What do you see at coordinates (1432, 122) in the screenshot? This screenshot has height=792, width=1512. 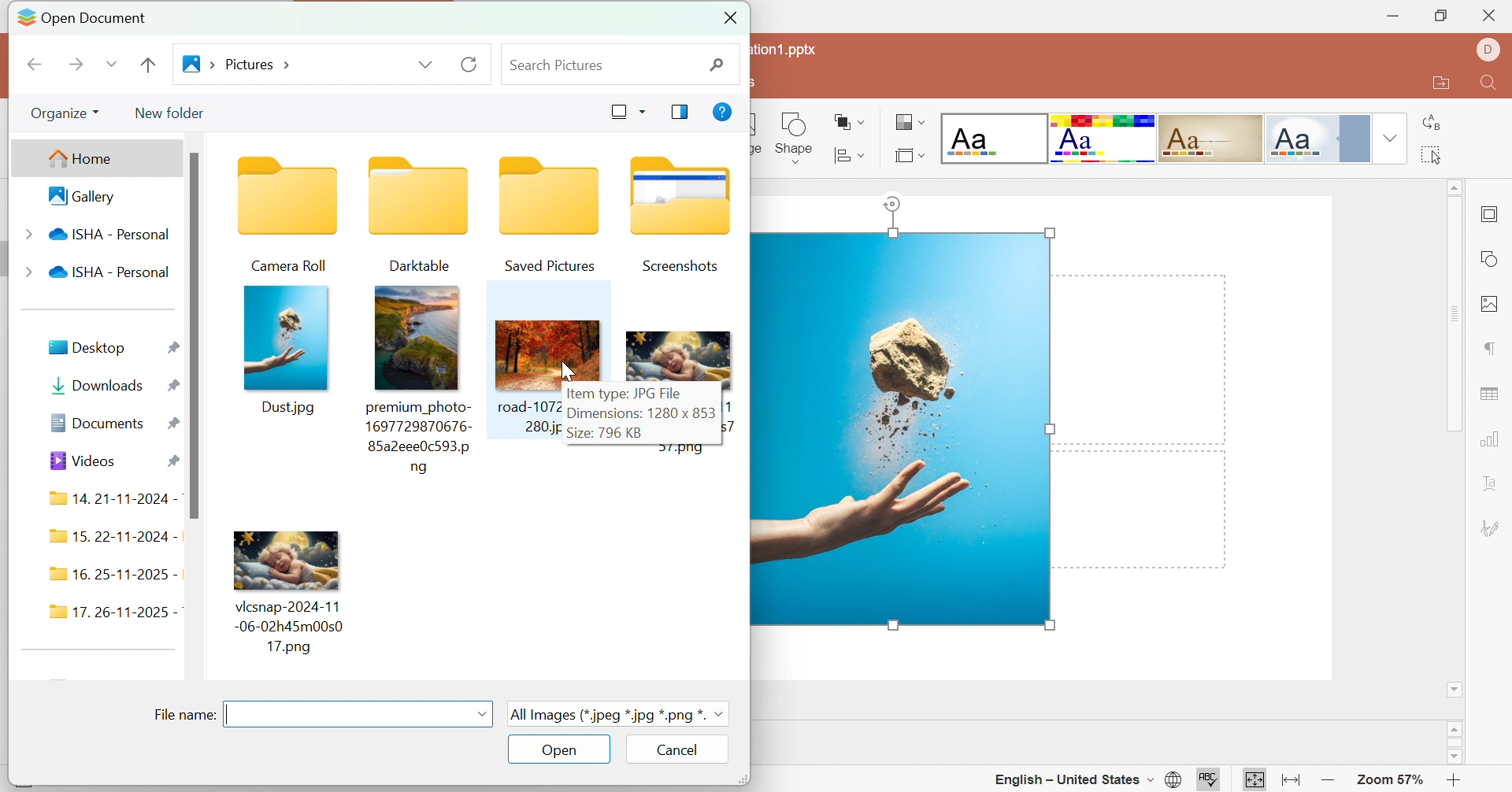 I see `Replace` at bounding box center [1432, 122].